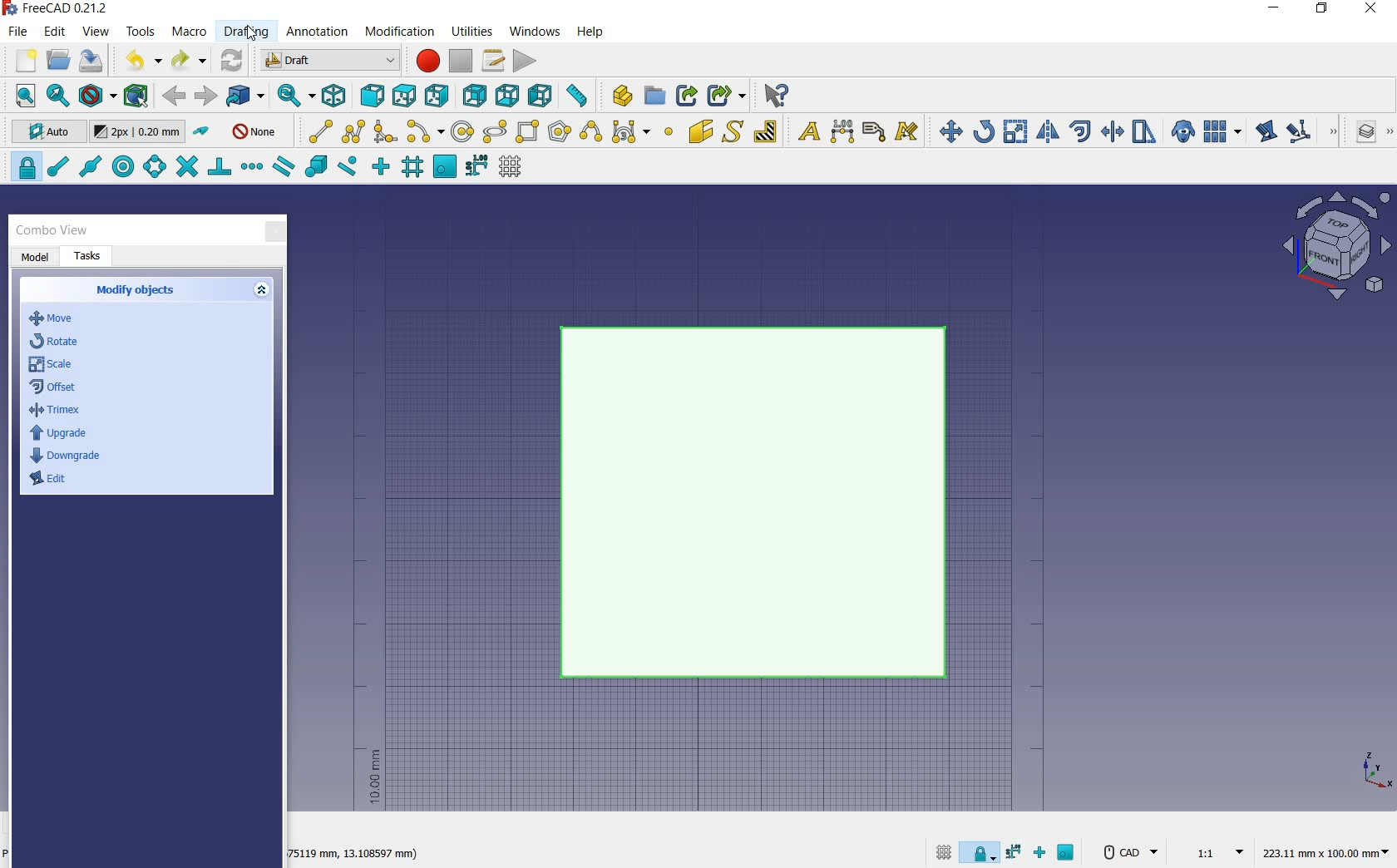  I want to click on edit, so click(56, 32).